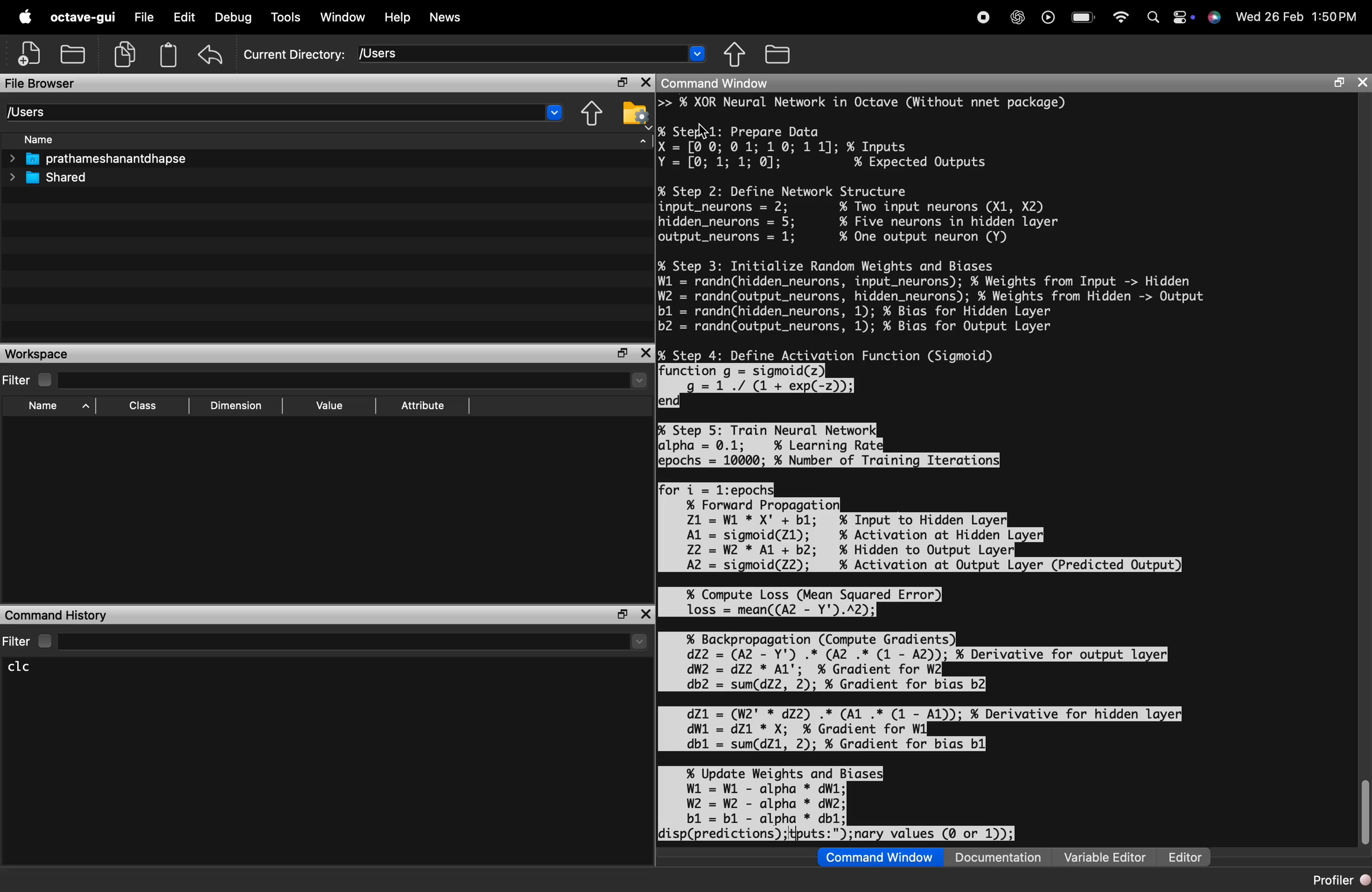 This screenshot has height=892, width=1372. I want to click on directory settings, so click(633, 112).